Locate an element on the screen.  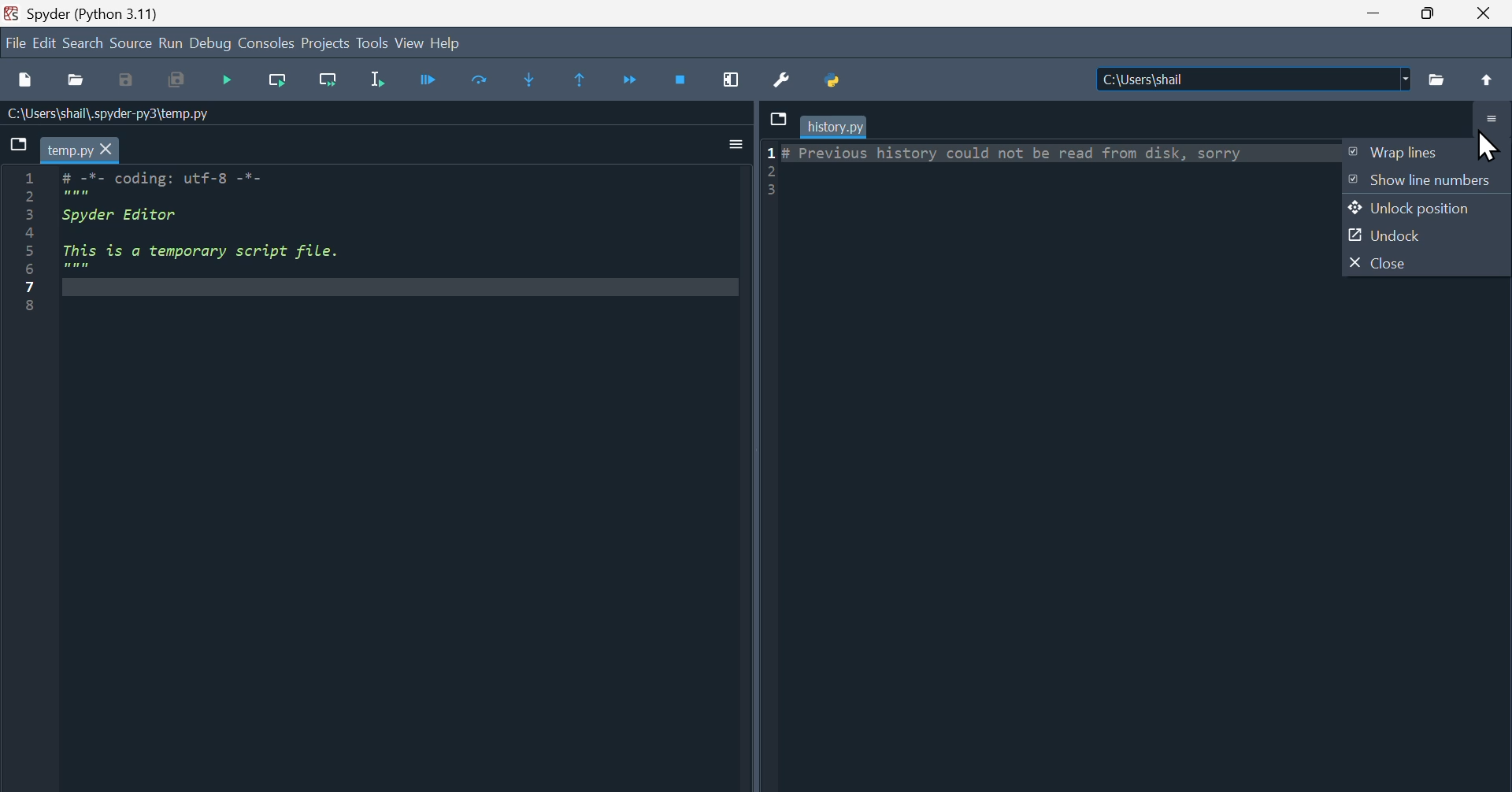
Preferences is located at coordinates (781, 82).